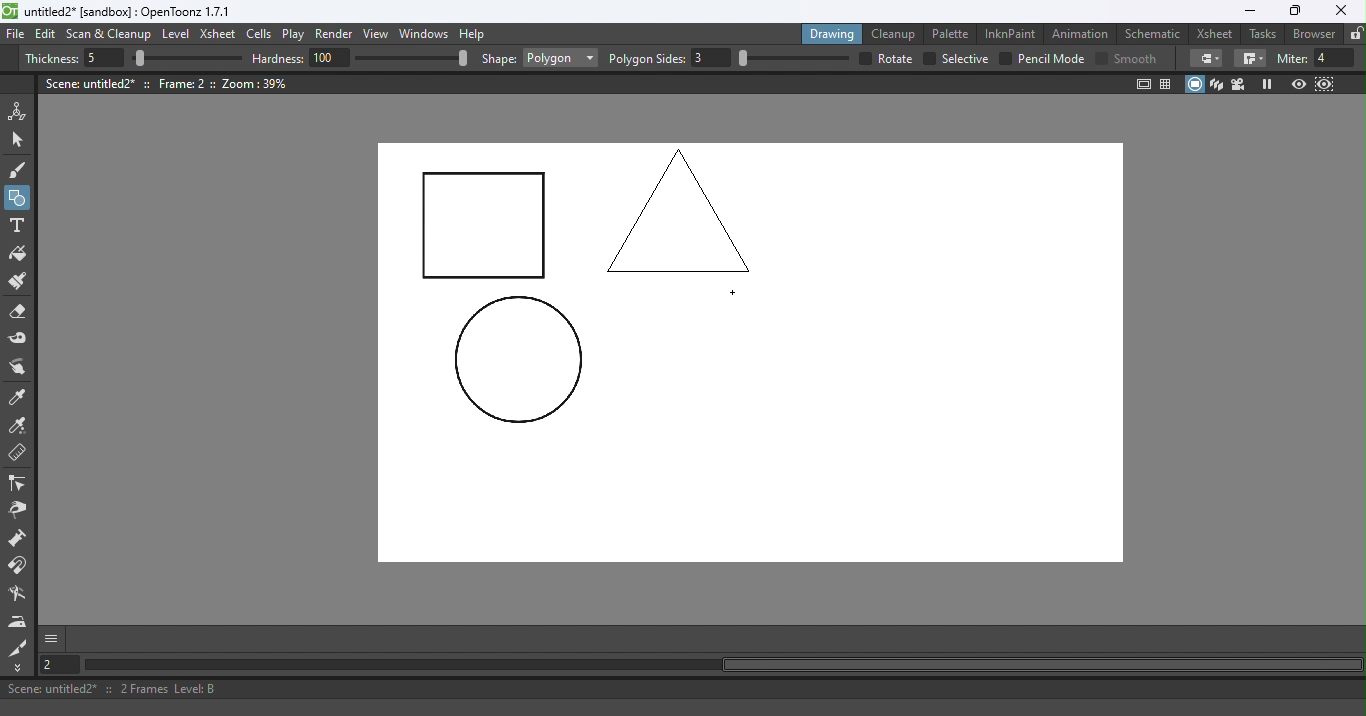 This screenshot has height=716, width=1366. Describe the element at coordinates (1142, 84) in the screenshot. I see `Safe area` at that location.